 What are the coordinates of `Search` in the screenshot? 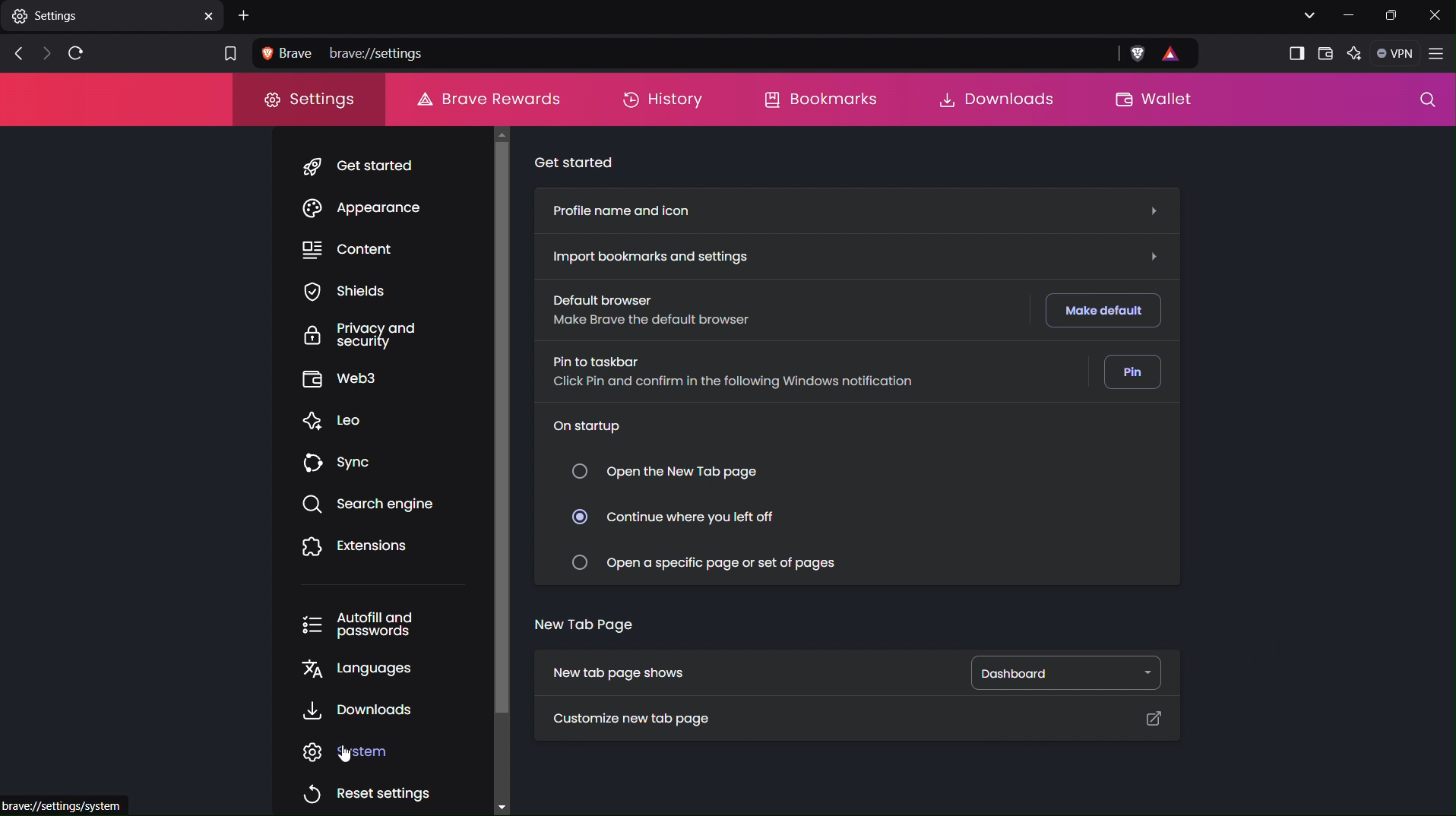 It's located at (1428, 103).